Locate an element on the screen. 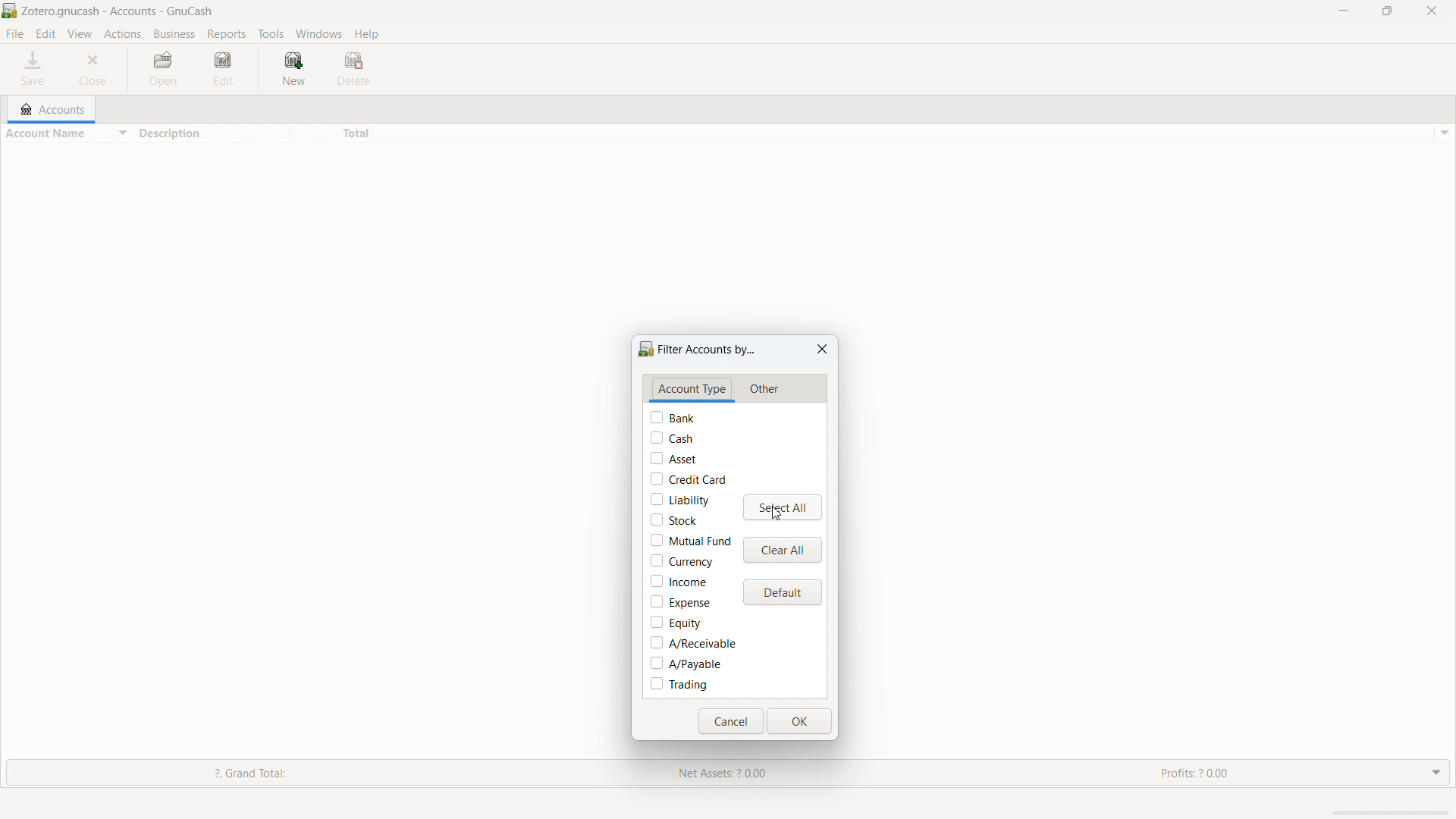  minimize is located at coordinates (1341, 11).